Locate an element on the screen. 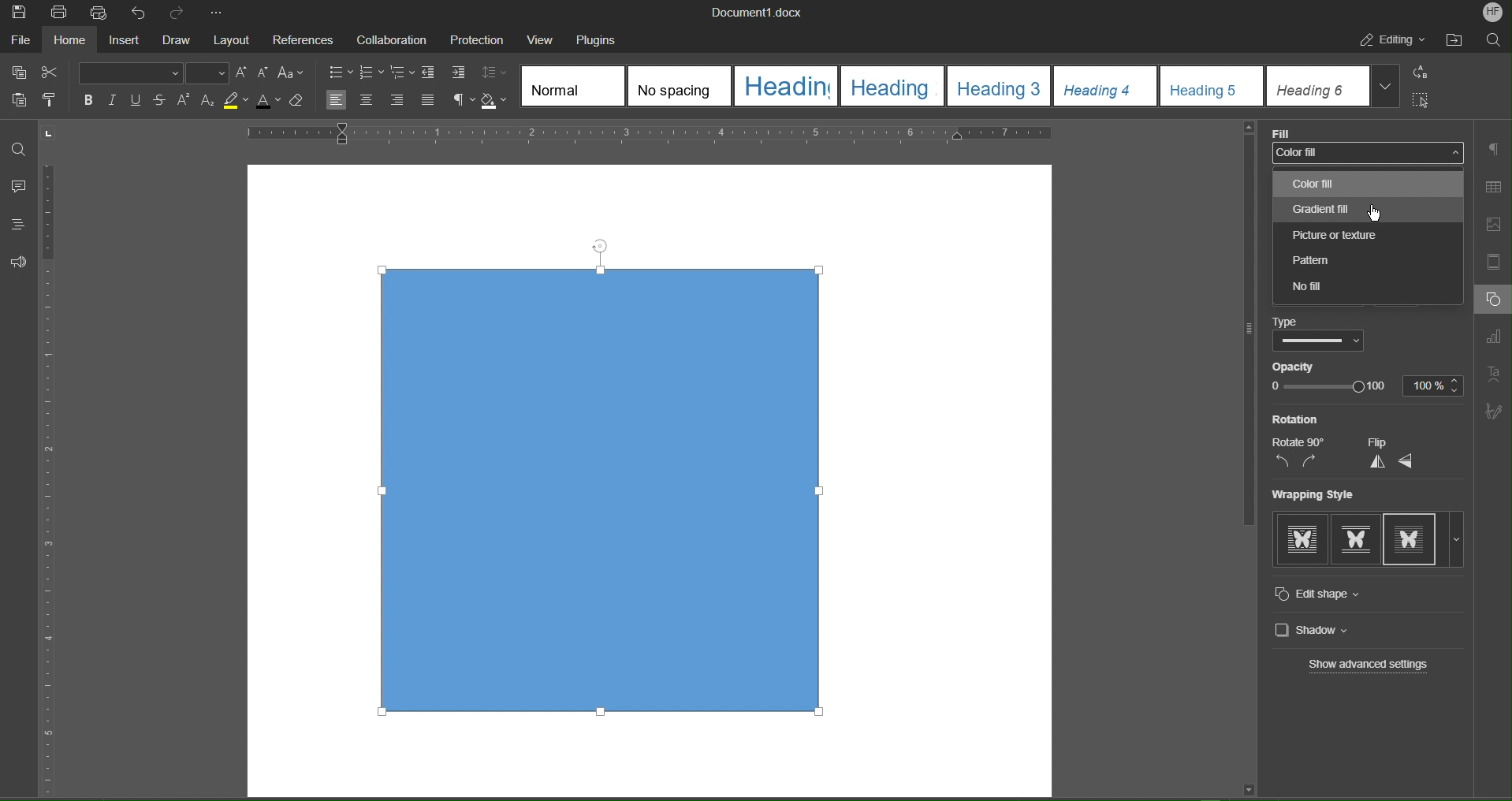 The width and height of the screenshot is (1512, 801). Search is located at coordinates (1496, 40).